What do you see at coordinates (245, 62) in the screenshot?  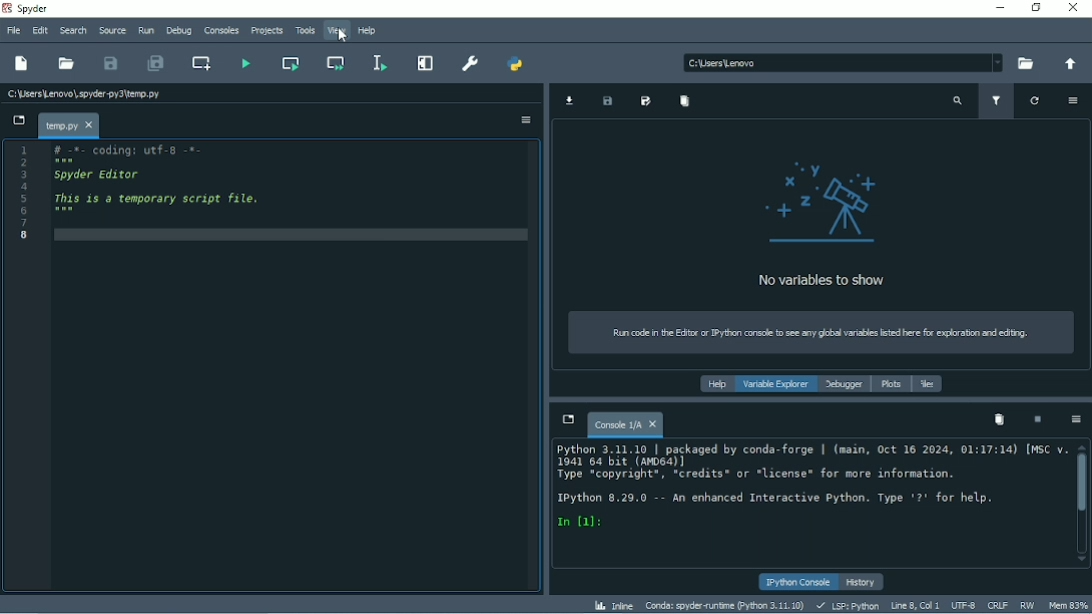 I see `Run file` at bounding box center [245, 62].